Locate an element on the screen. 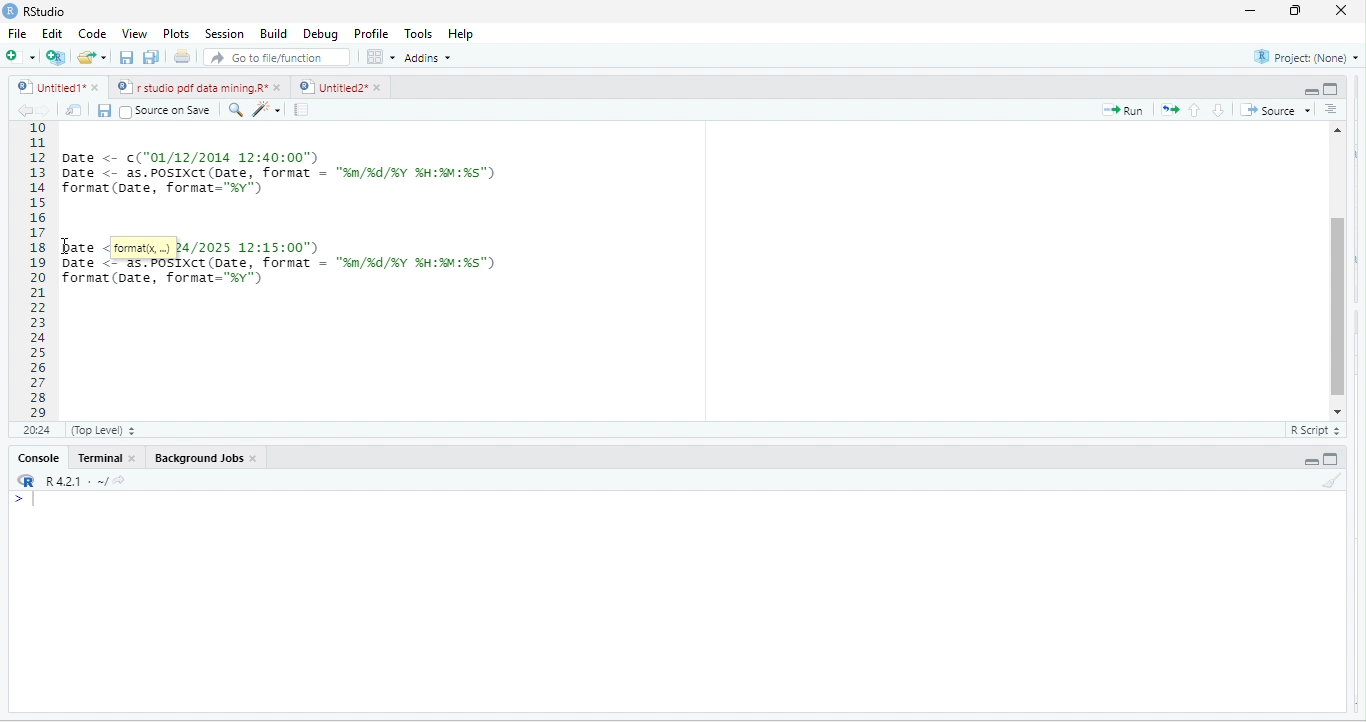 This screenshot has height=722, width=1366. new file is located at coordinates (17, 56).